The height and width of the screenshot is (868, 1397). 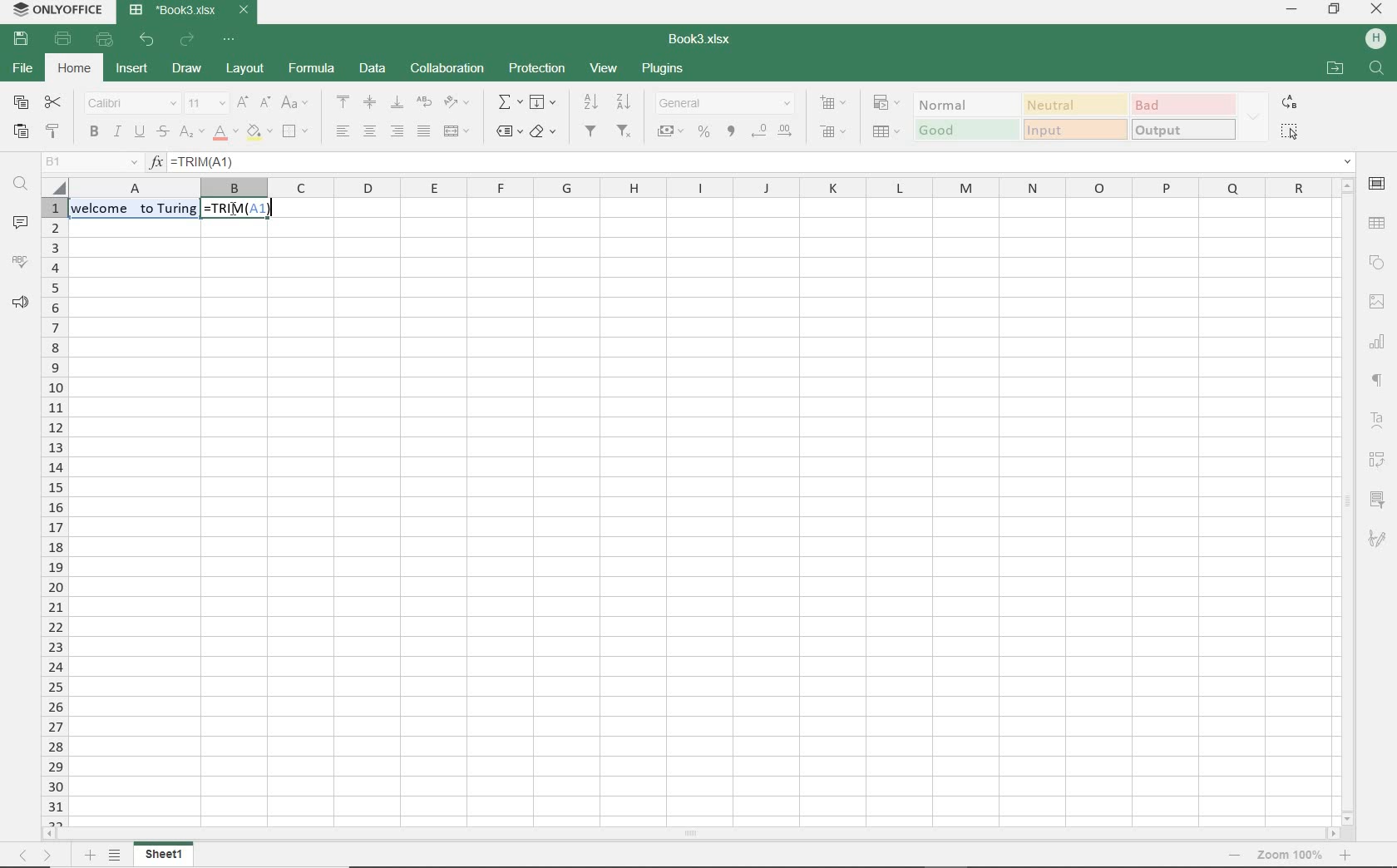 What do you see at coordinates (22, 186) in the screenshot?
I see `find` at bounding box center [22, 186].